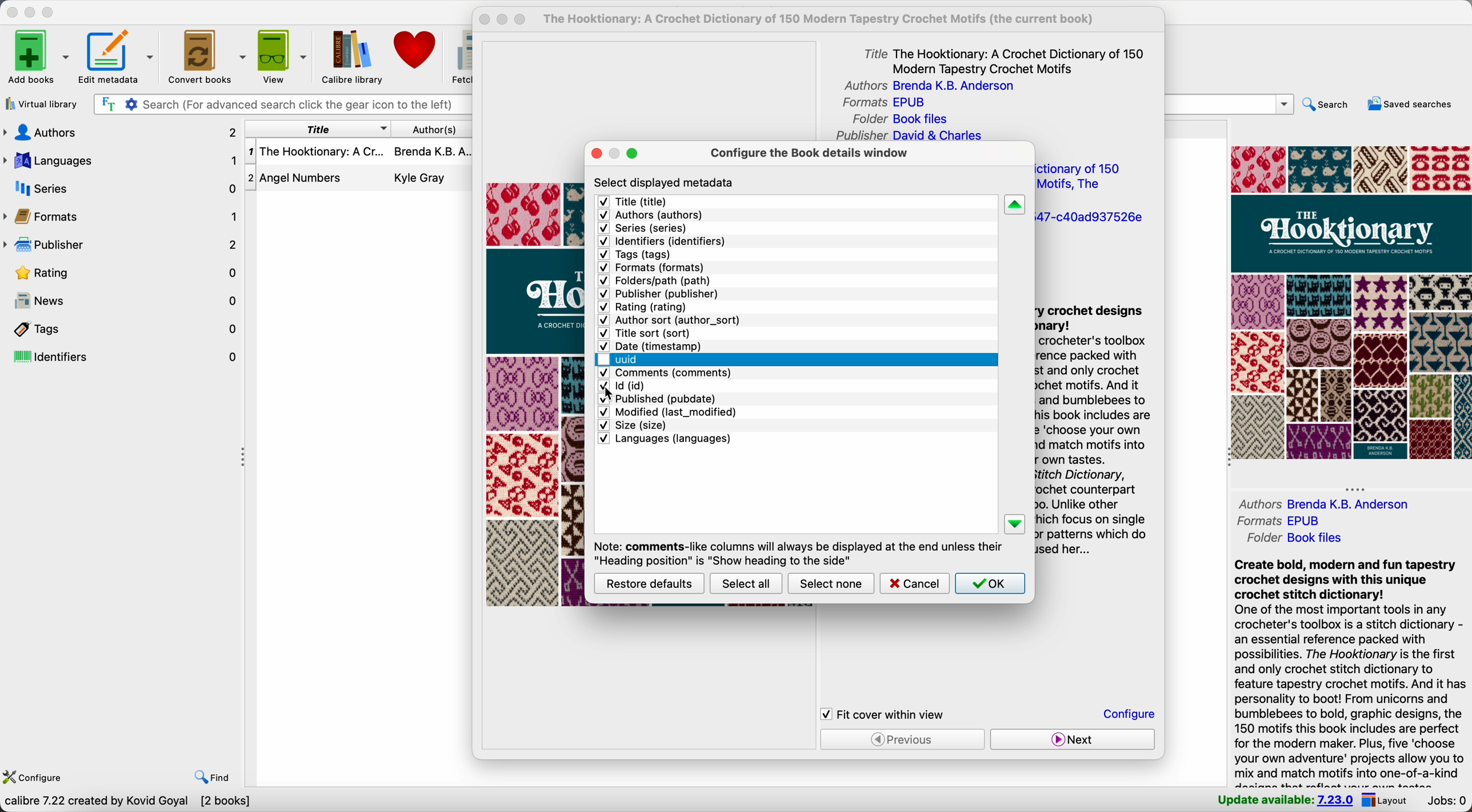  I want to click on rating, so click(644, 308).